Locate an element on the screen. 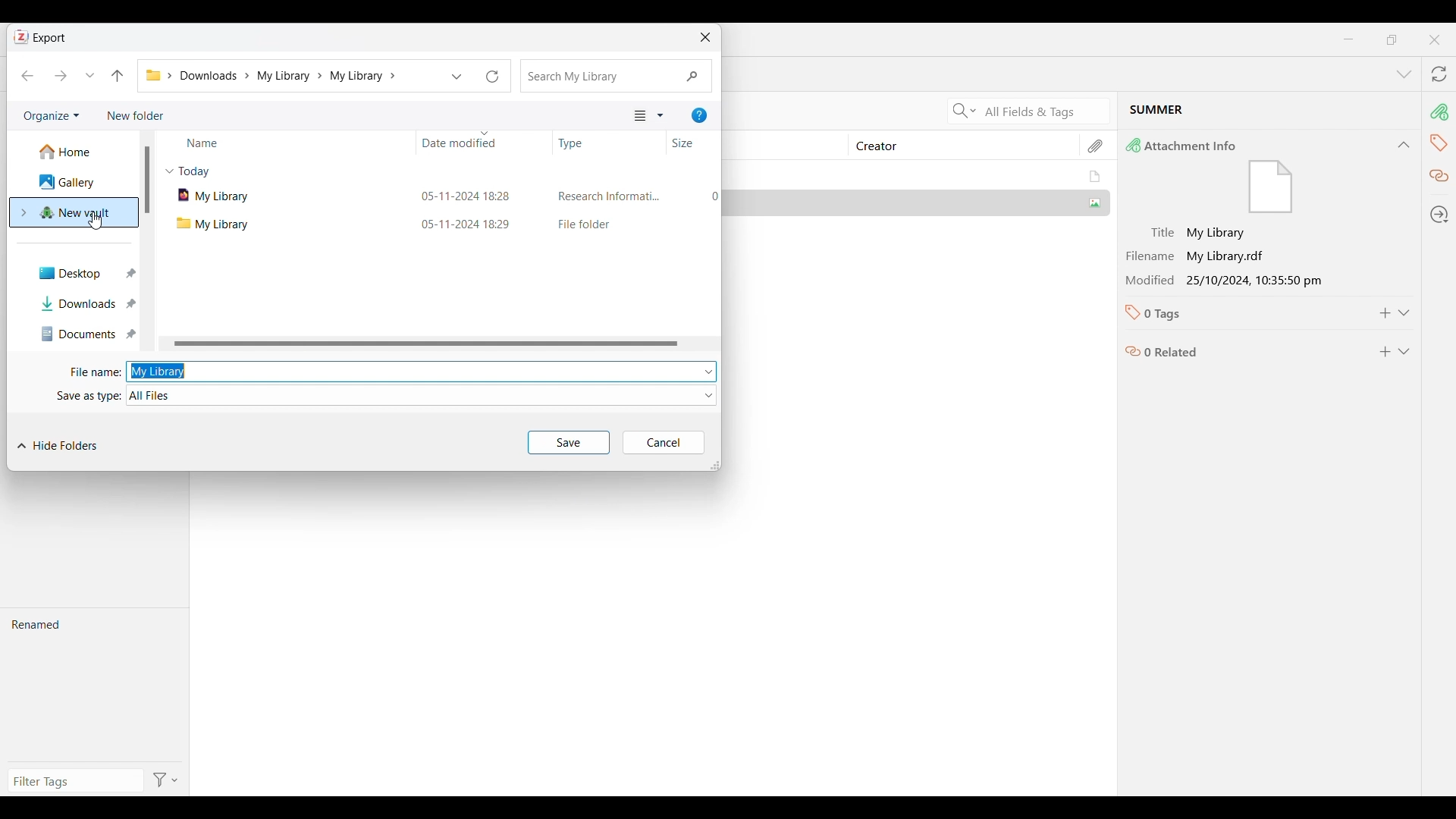 The width and height of the screenshot is (1456, 819). File options is located at coordinates (709, 372).